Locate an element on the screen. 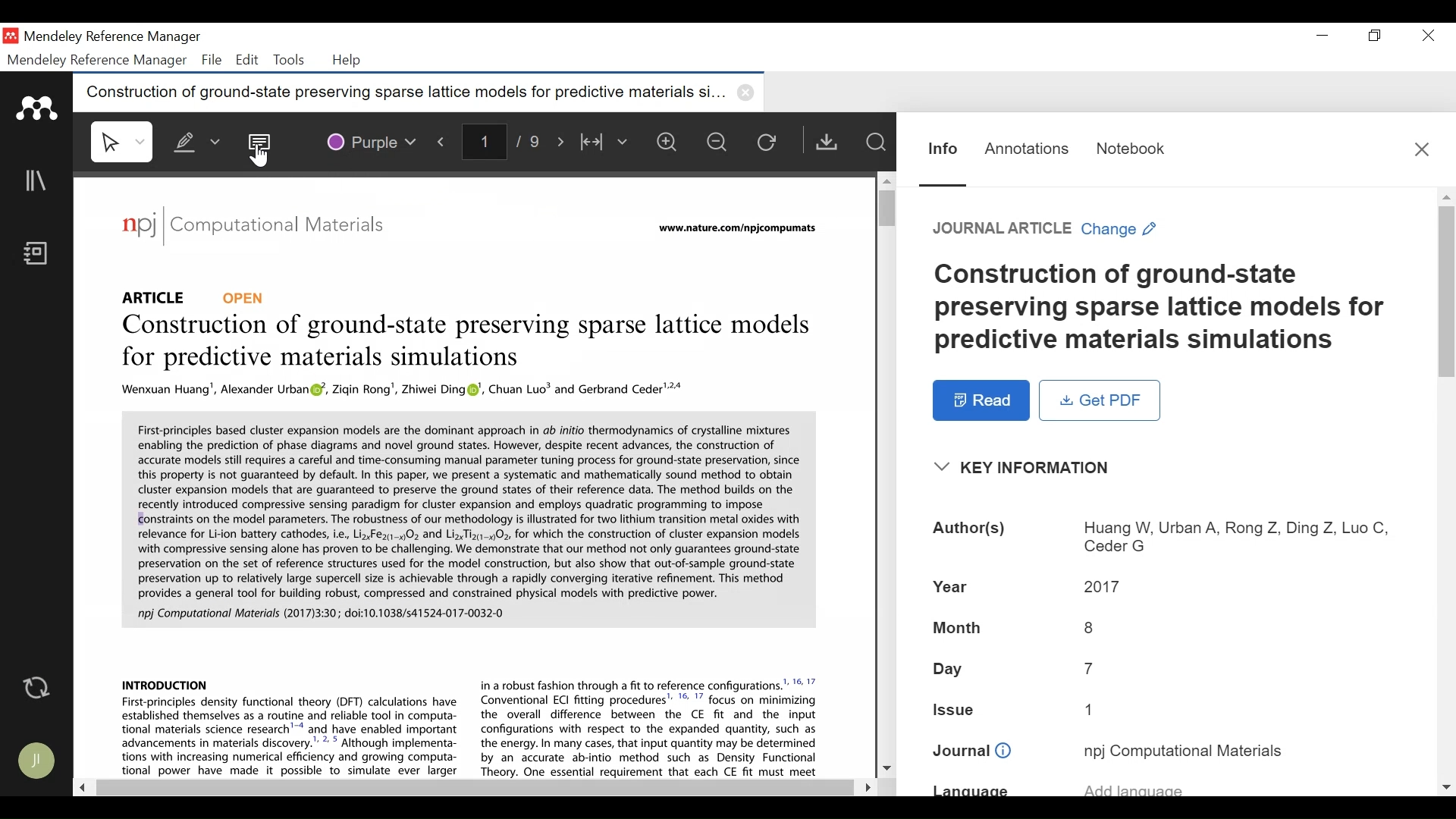  Read is located at coordinates (981, 400).